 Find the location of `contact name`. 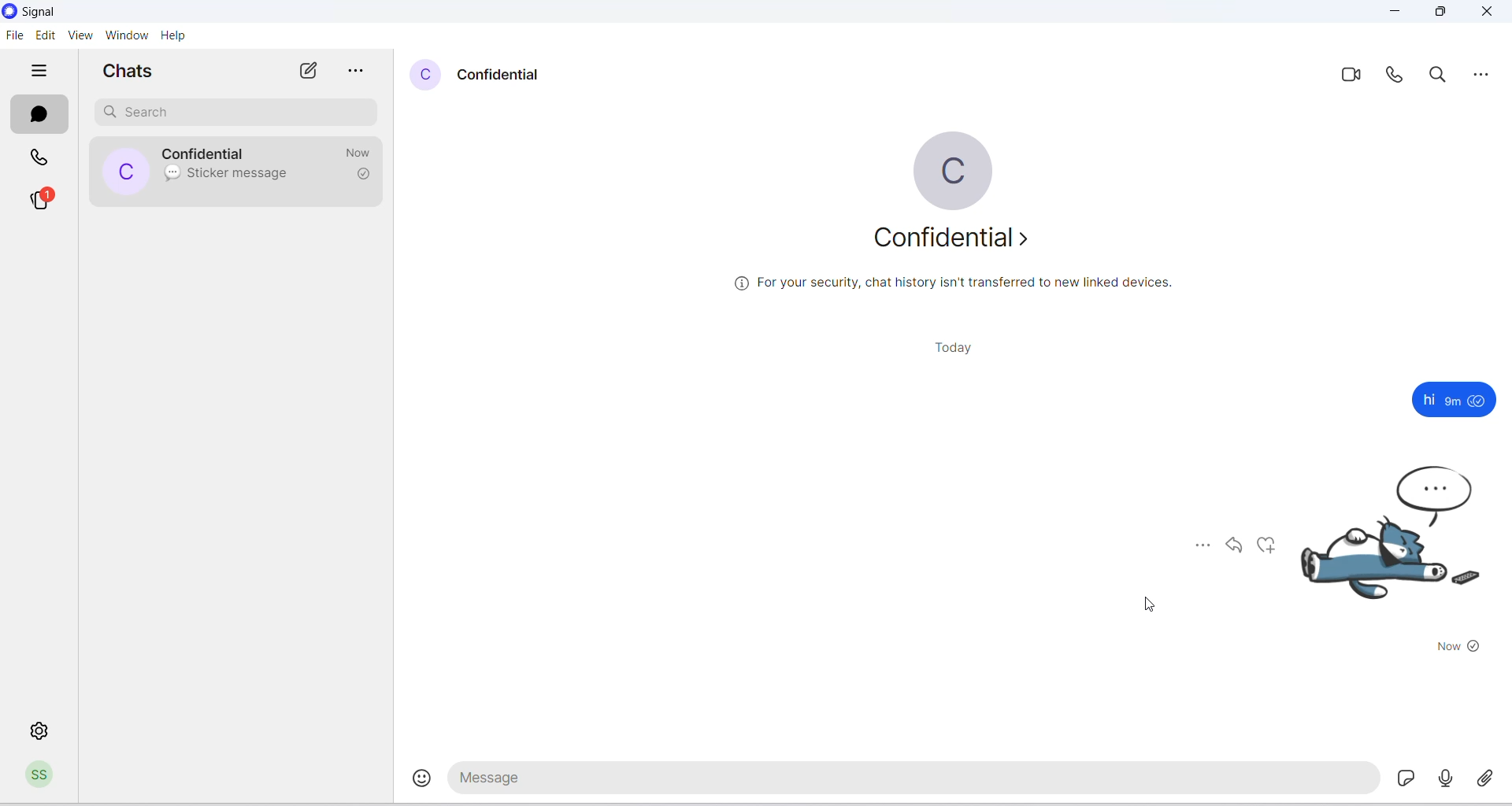

contact name is located at coordinates (209, 153).